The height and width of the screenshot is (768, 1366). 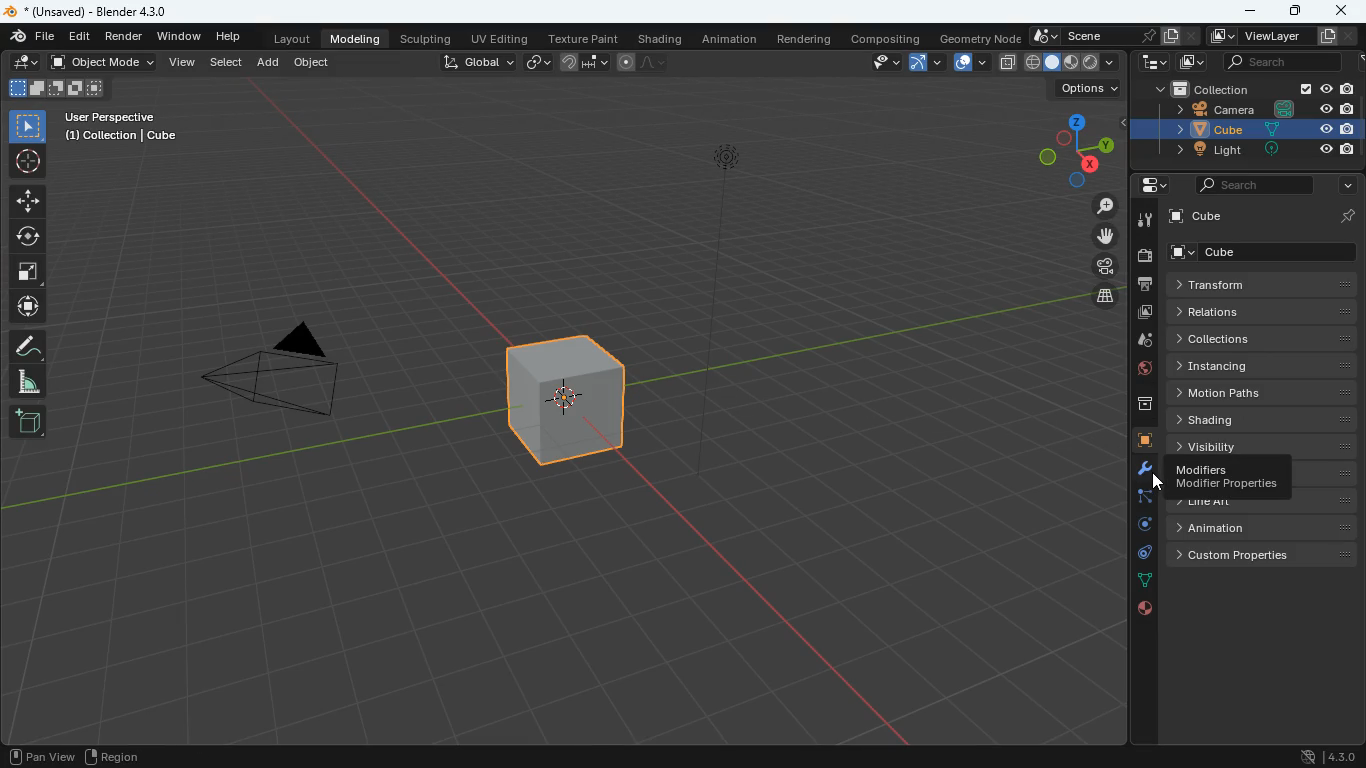 What do you see at coordinates (79, 36) in the screenshot?
I see `edit` at bounding box center [79, 36].